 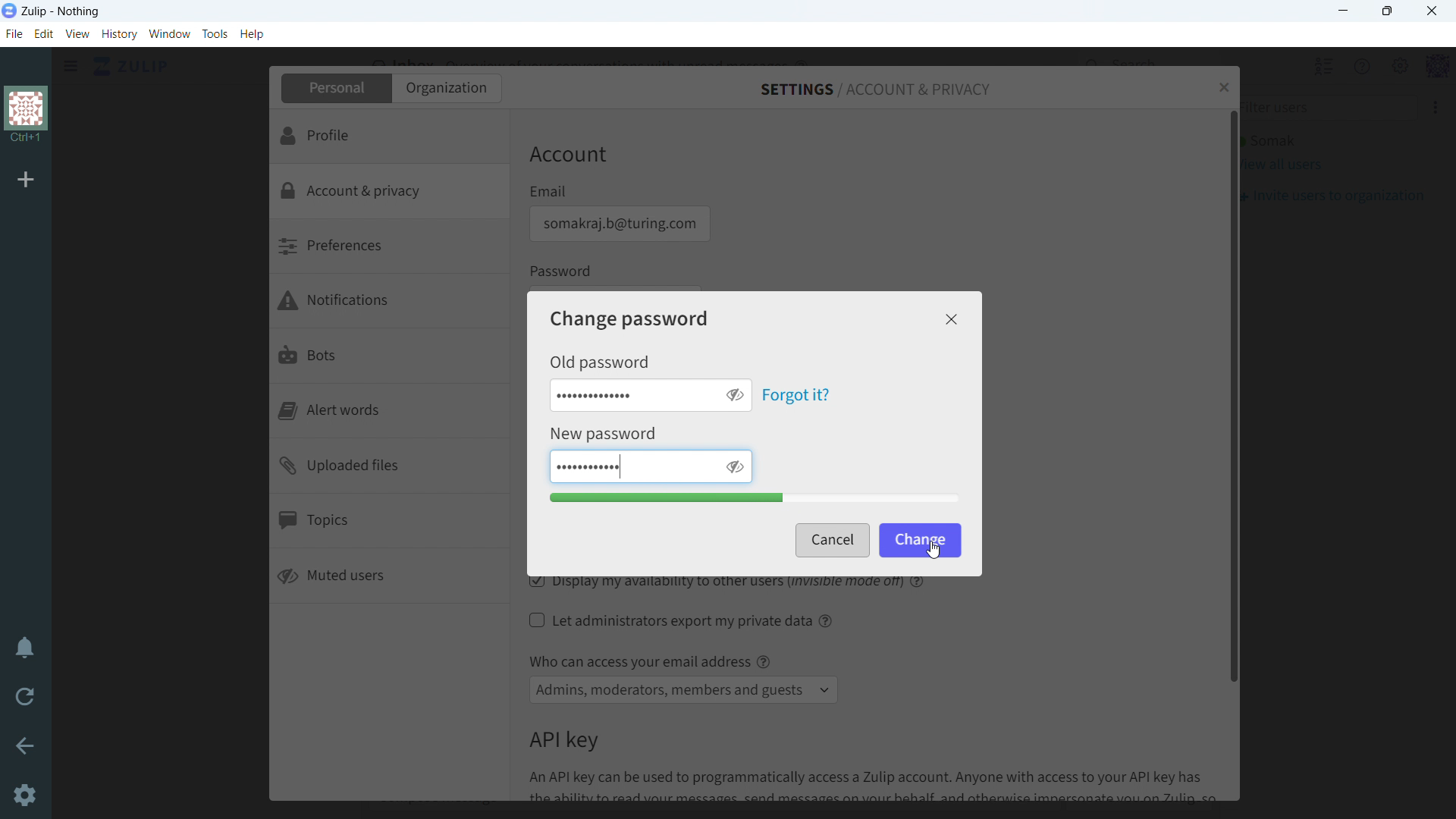 What do you see at coordinates (919, 538) in the screenshot?
I see `change` at bounding box center [919, 538].